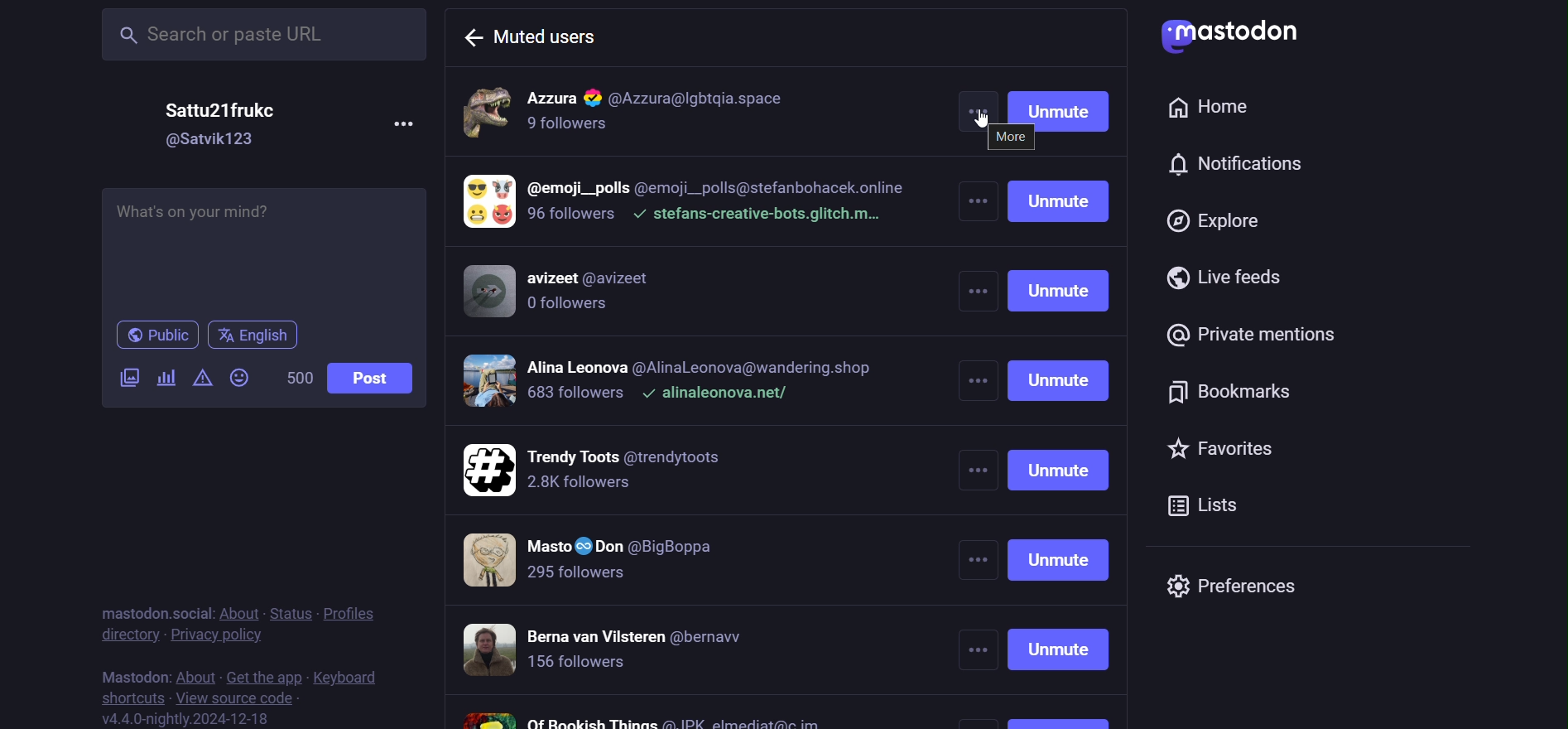 This screenshot has width=1568, height=729. Describe the element at coordinates (290, 613) in the screenshot. I see `status` at that location.